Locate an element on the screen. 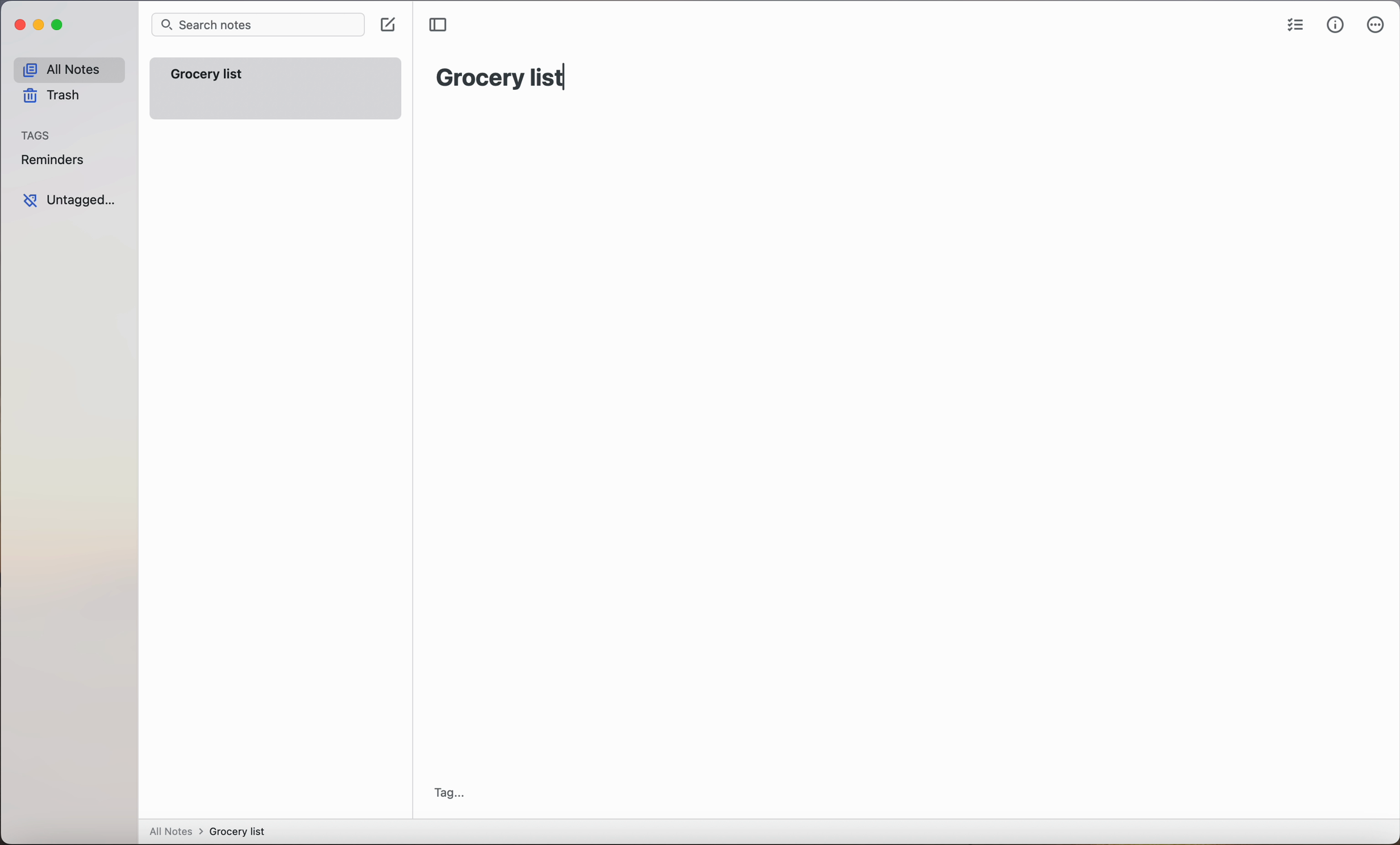 This screenshot has height=845, width=1400. all notes > new note is located at coordinates (208, 831).